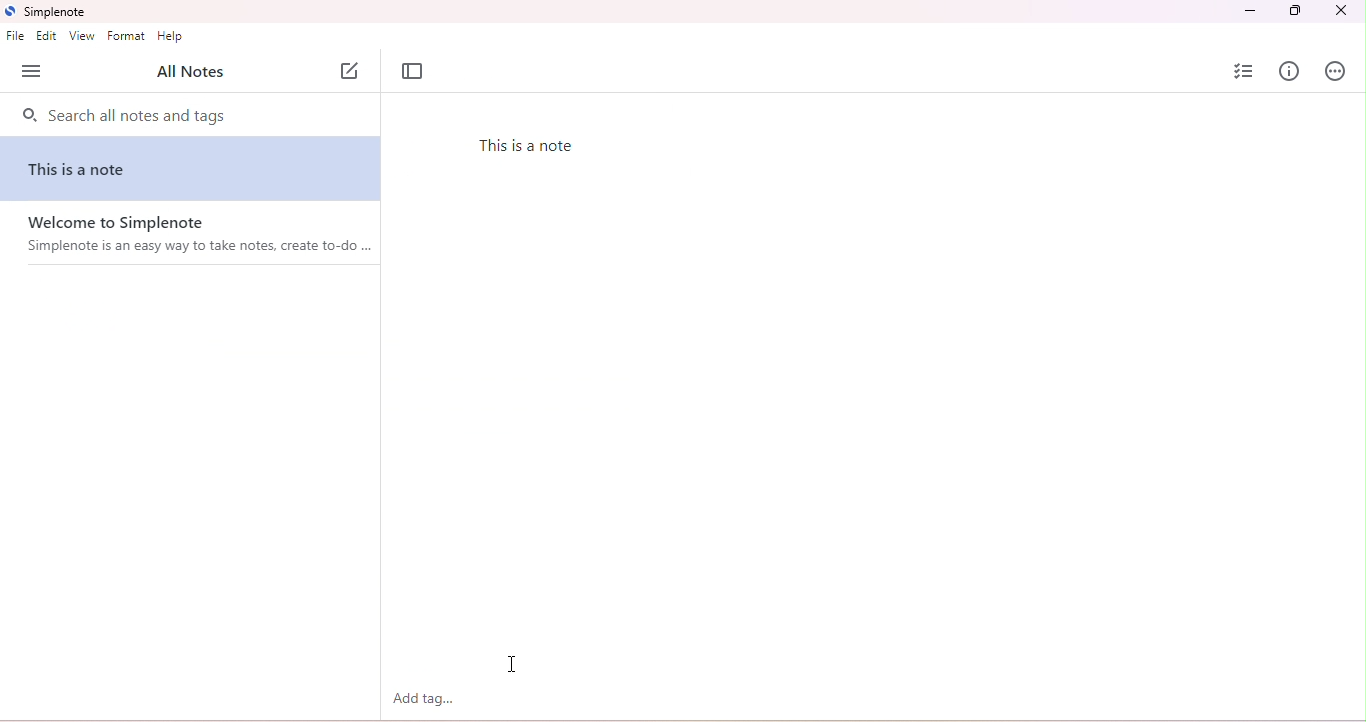 The width and height of the screenshot is (1366, 722). What do you see at coordinates (1242, 70) in the screenshot?
I see `insert checklist` at bounding box center [1242, 70].